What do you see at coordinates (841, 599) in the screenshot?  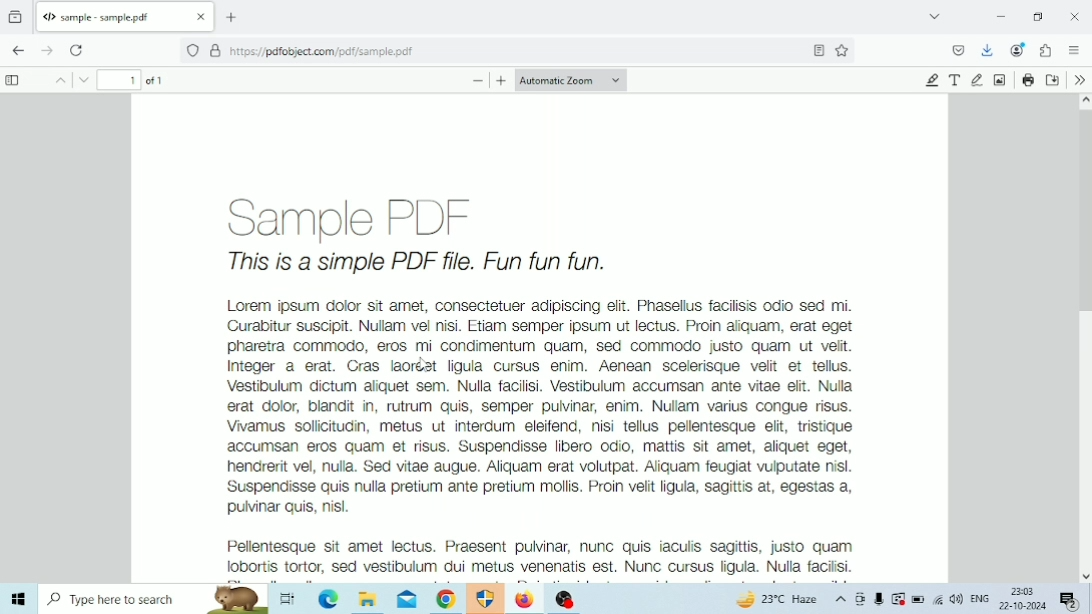 I see `Show hidden icons` at bounding box center [841, 599].